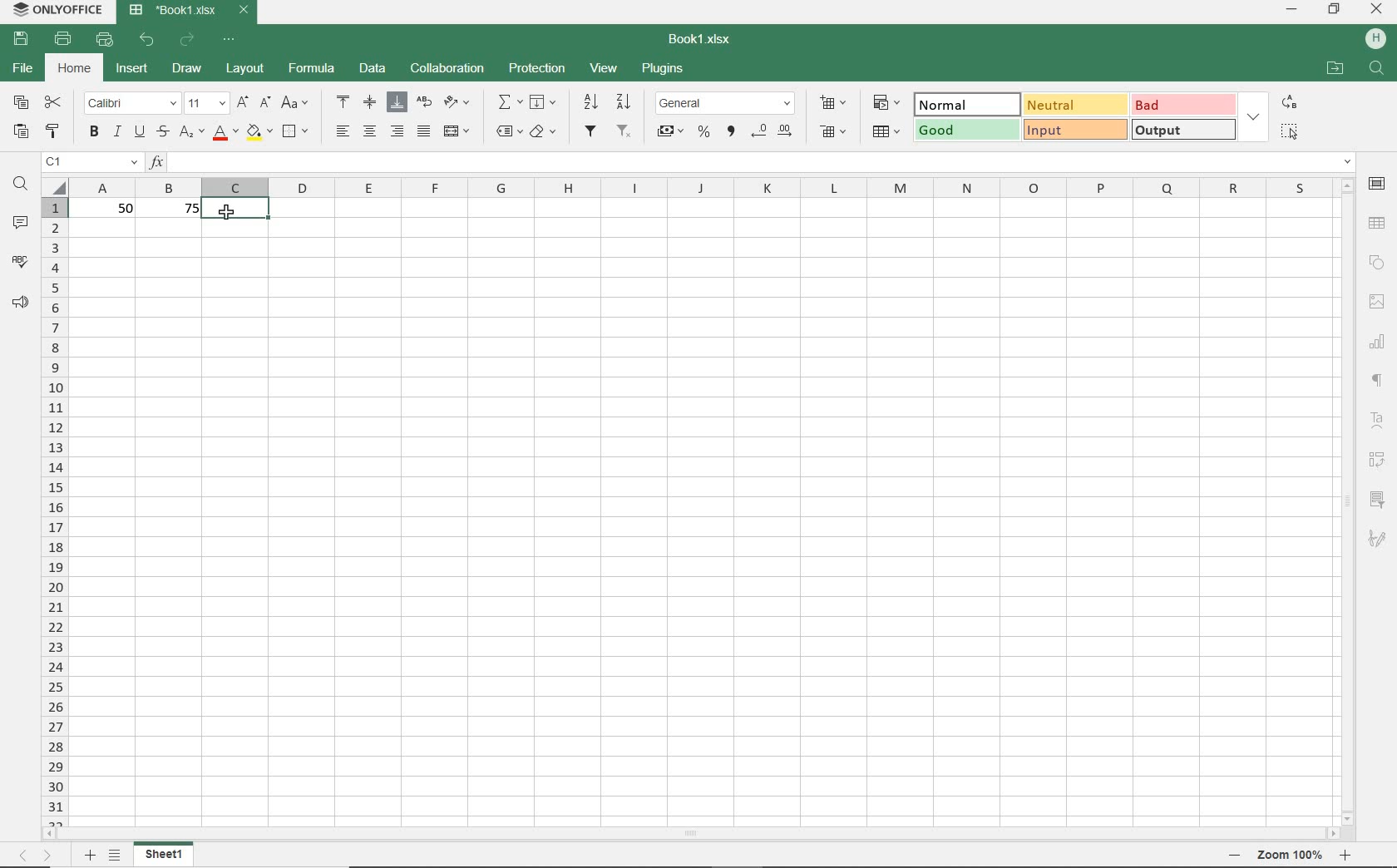  What do you see at coordinates (698, 37) in the screenshot?
I see `file name` at bounding box center [698, 37].